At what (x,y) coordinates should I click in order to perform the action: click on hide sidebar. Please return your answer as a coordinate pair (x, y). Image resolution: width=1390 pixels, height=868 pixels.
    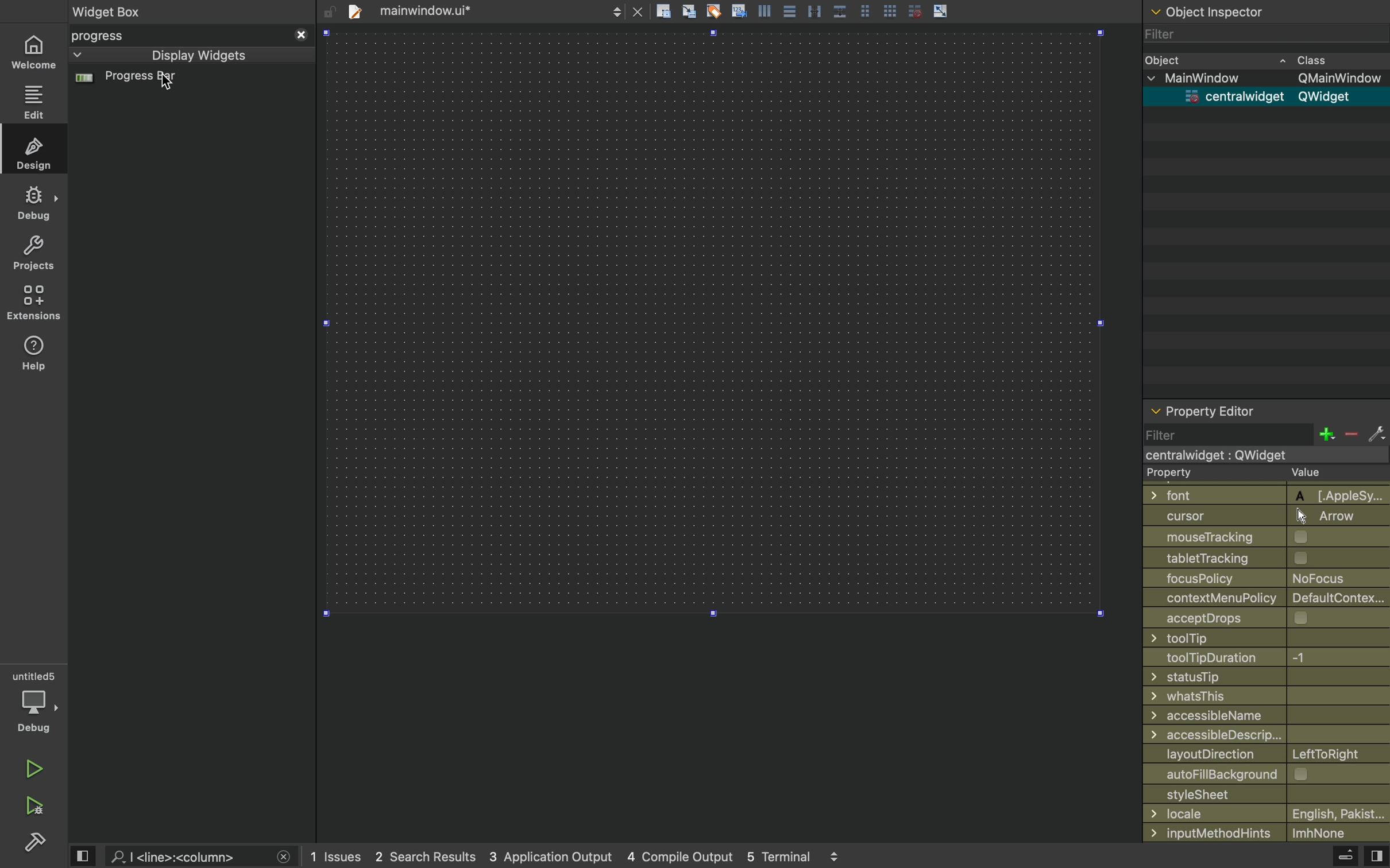
    Looking at the image, I should click on (1334, 858).